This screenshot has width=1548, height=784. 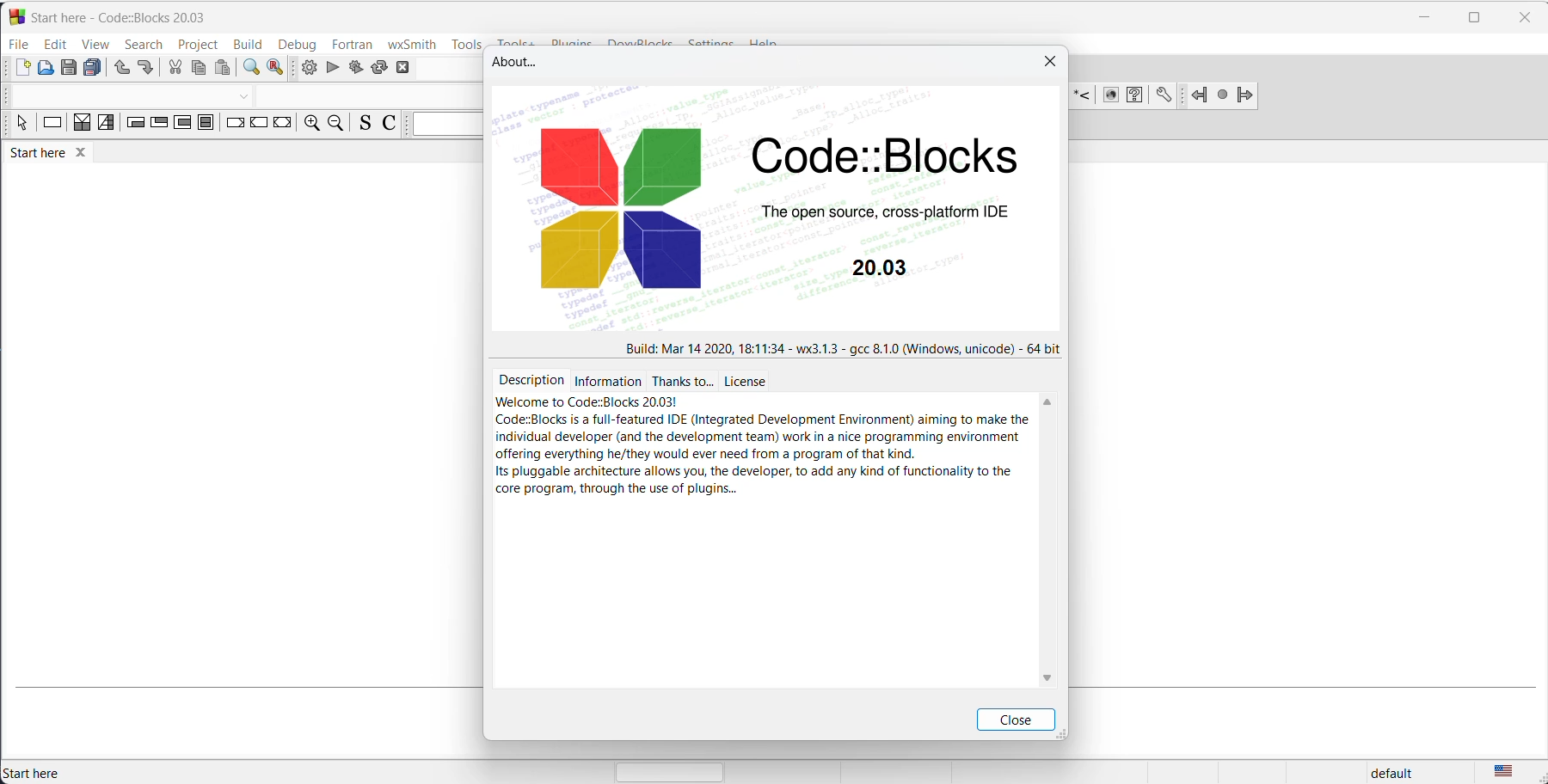 I want to click on start here, so click(x=38, y=774).